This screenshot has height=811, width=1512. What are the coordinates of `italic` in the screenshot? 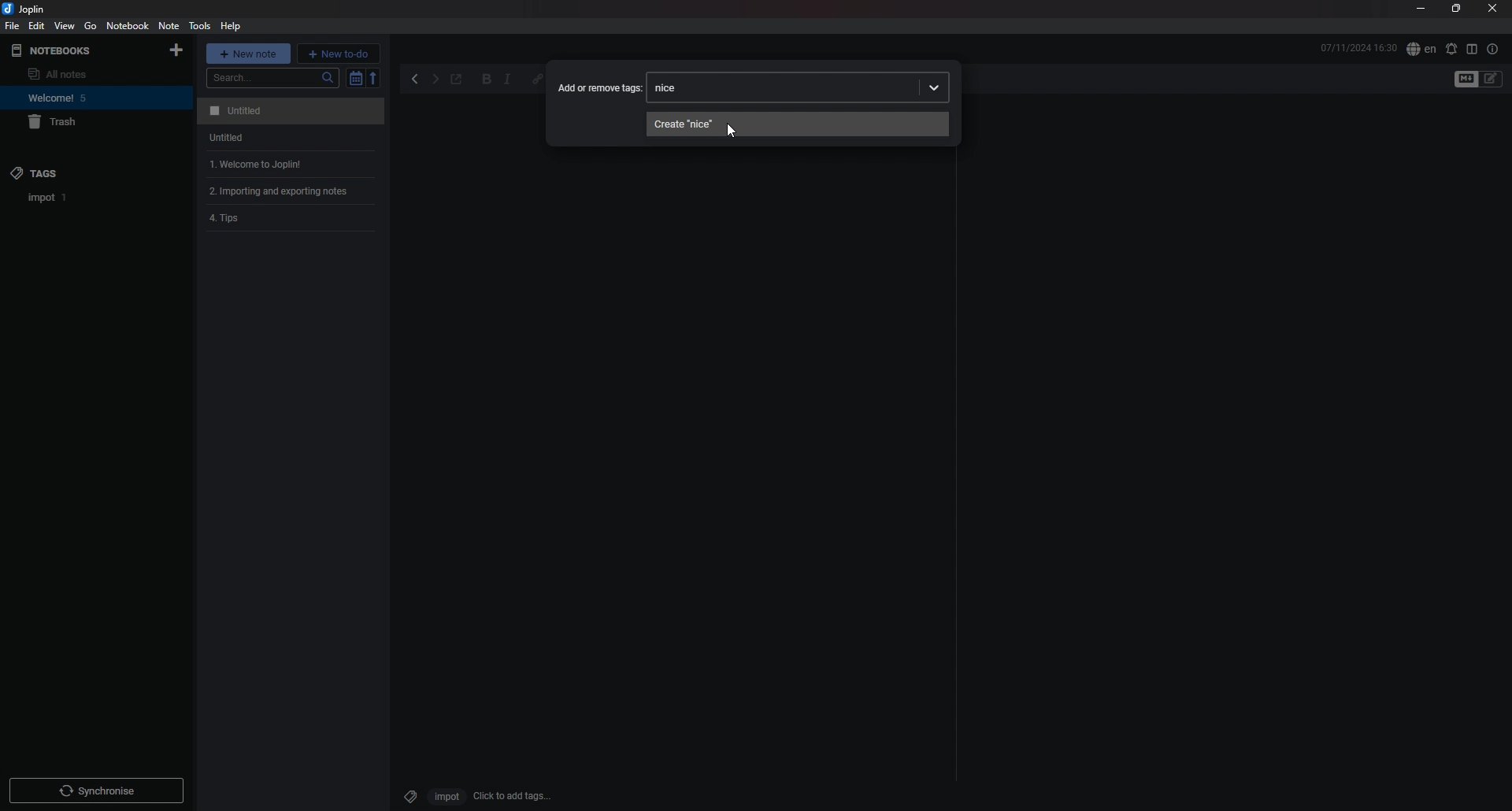 It's located at (507, 80).